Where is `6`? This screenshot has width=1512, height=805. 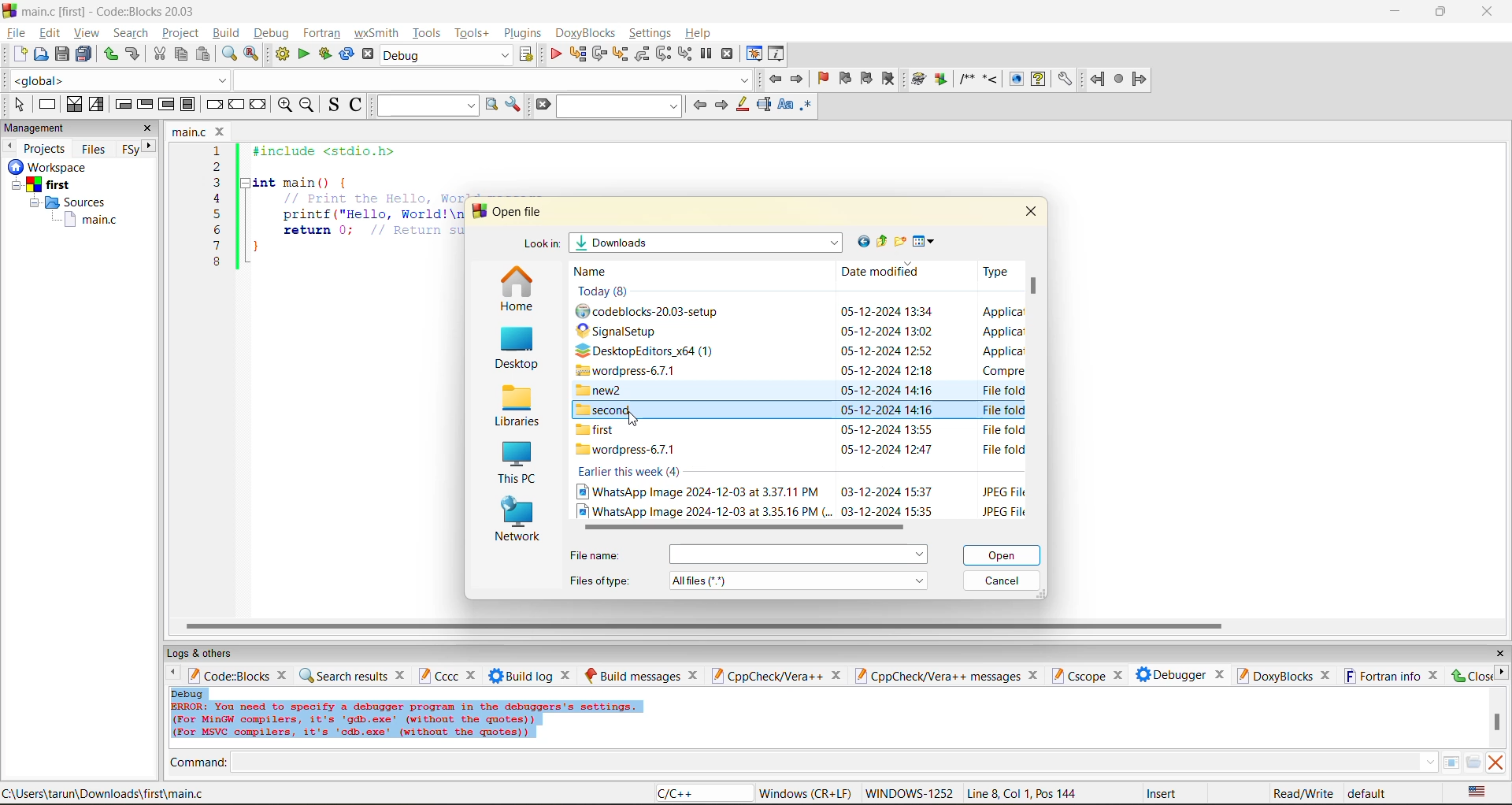 6 is located at coordinates (217, 229).